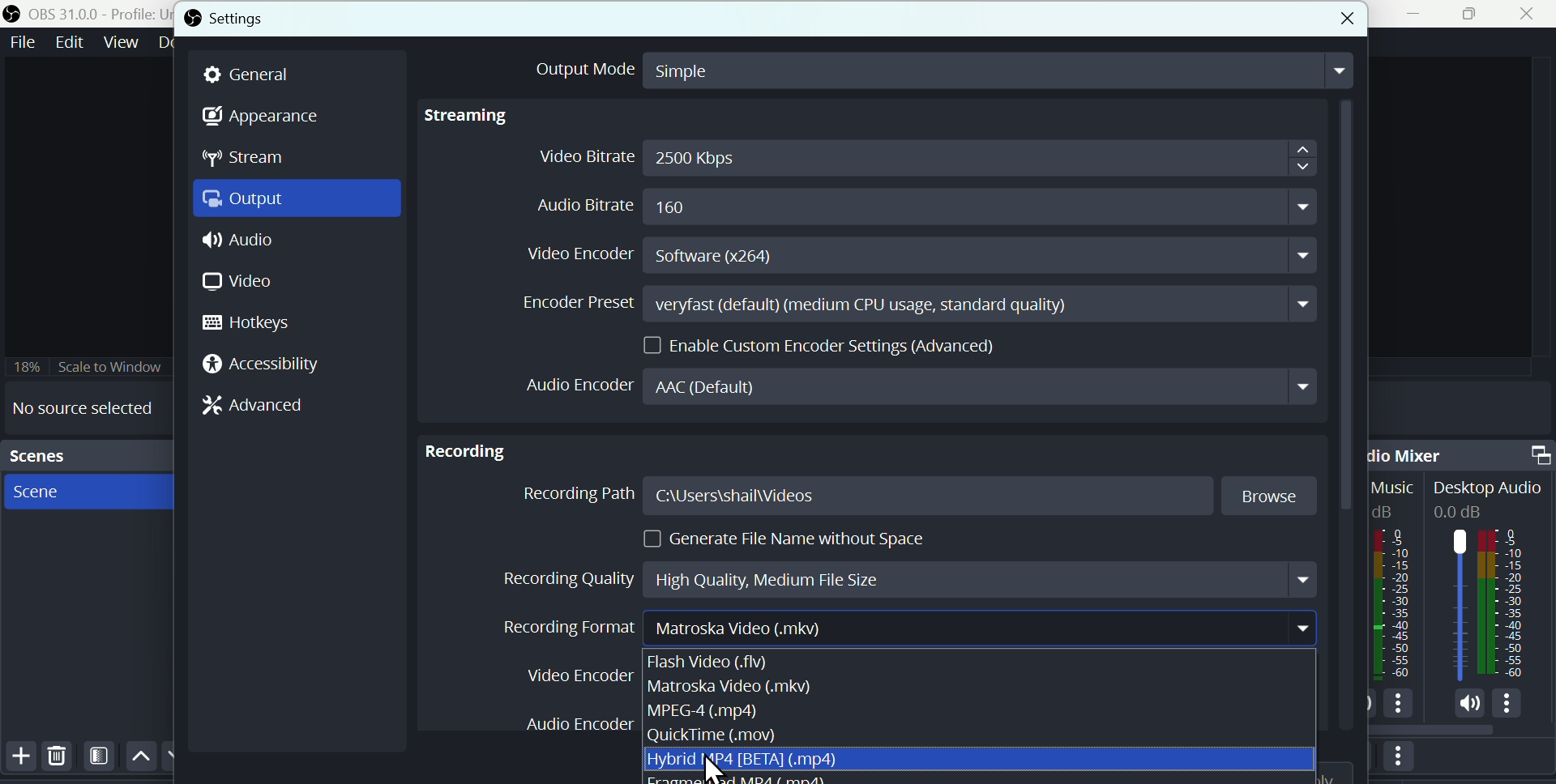  What do you see at coordinates (703, 712) in the screenshot?
I see `MPEG 4` at bounding box center [703, 712].